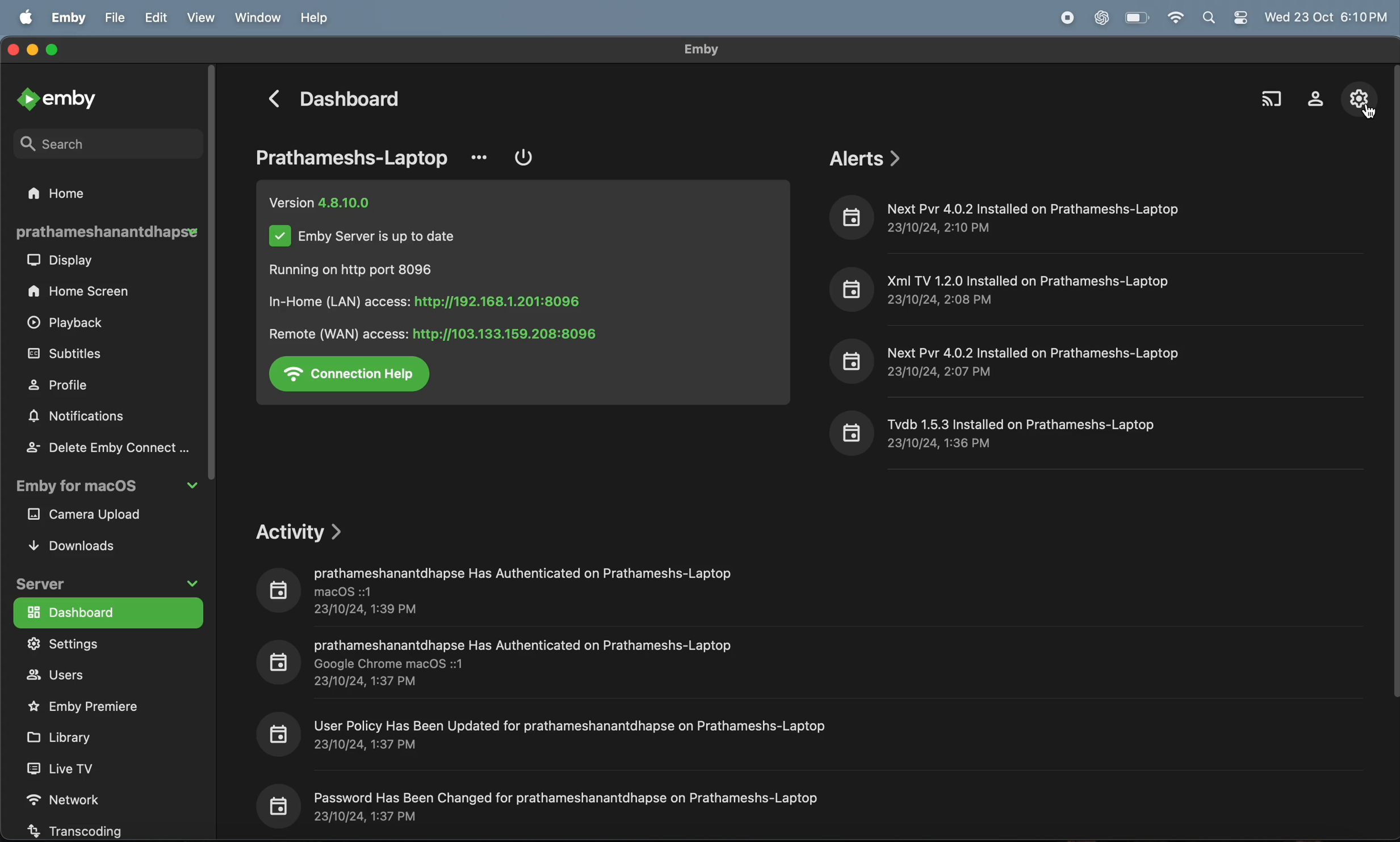 The height and width of the screenshot is (842, 1400). Describe the element at coordinates (341, 158) in the screenshot. I see `prathameshs -laptop` at that location.